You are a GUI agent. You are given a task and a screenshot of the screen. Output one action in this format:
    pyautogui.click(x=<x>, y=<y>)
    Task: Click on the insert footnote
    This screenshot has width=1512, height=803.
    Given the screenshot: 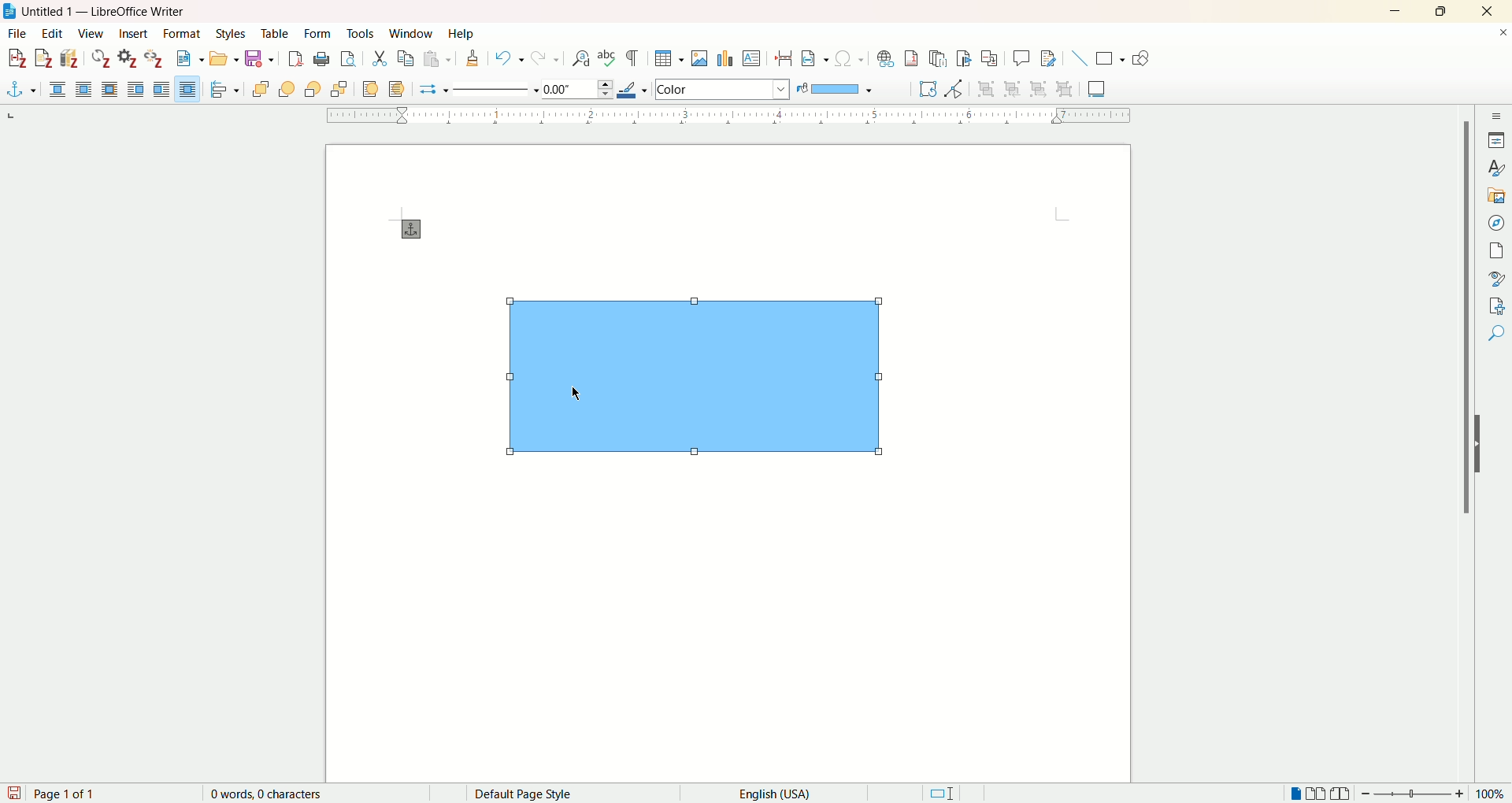 What is the action you would take?
    pyautogui.click(x=913, y=58)
    